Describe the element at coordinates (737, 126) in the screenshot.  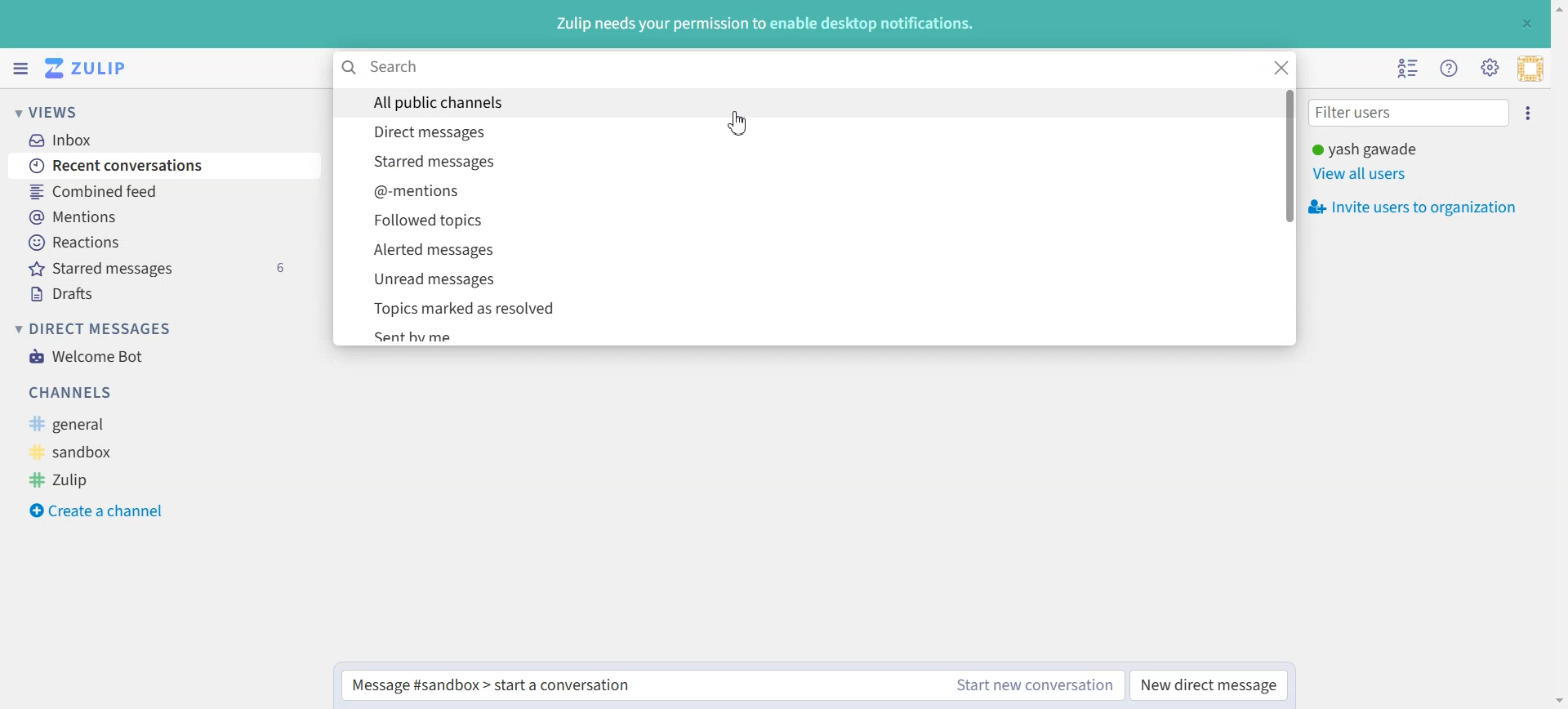
I see `cursor` at that location.